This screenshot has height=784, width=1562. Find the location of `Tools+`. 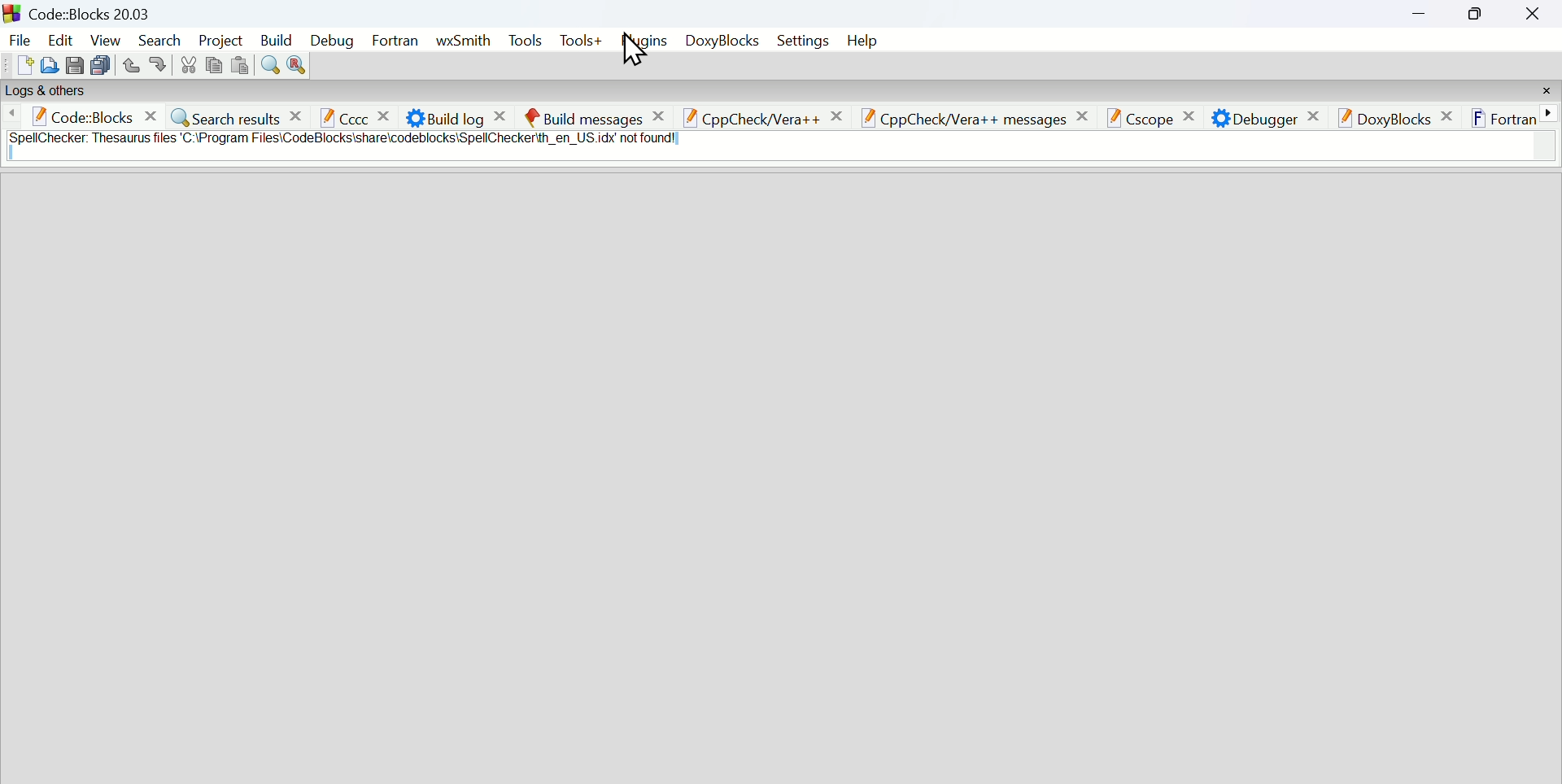

Tools+ is located at coordinates (581, 41).